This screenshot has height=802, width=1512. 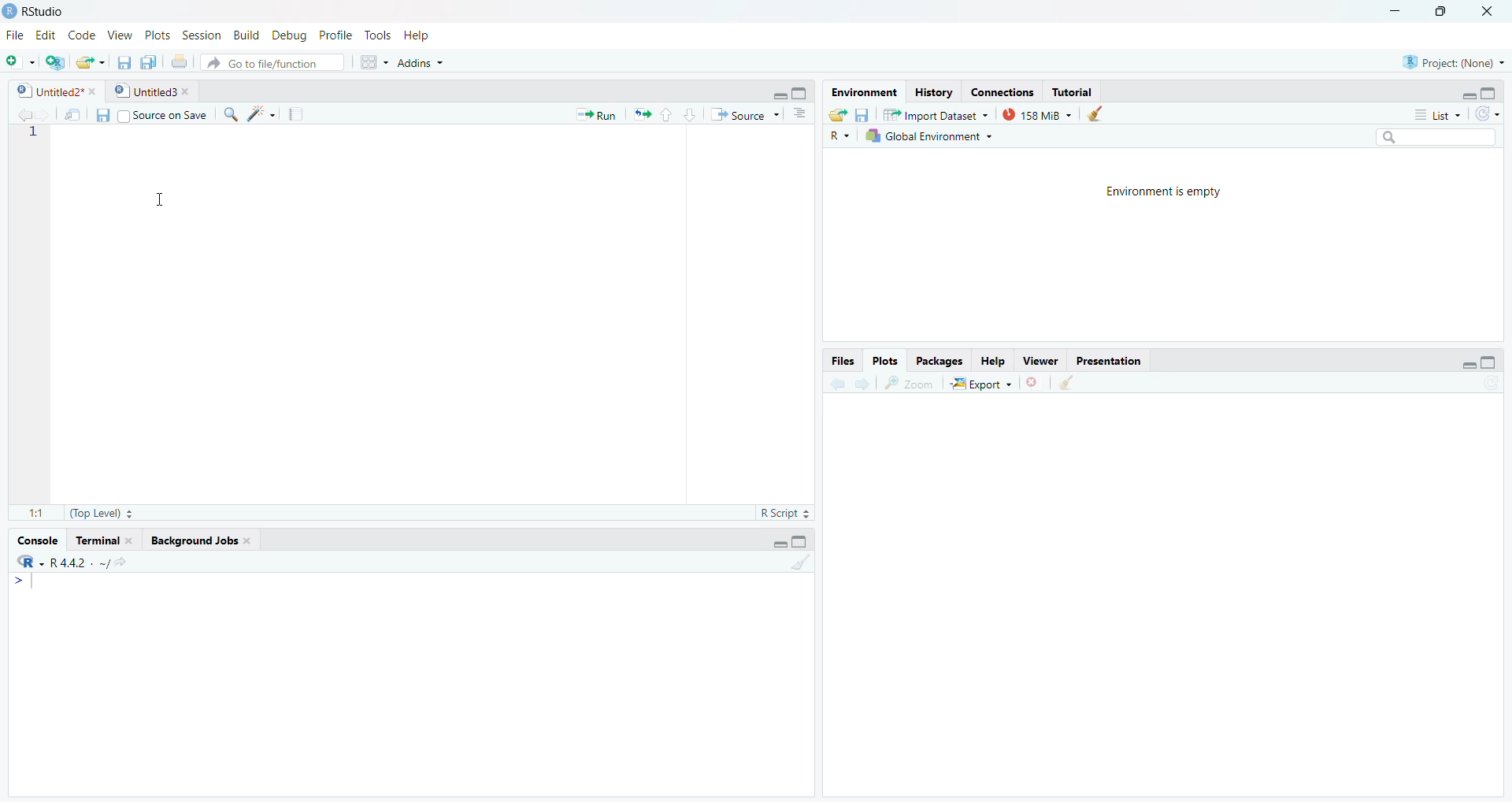 I want to click on Refresh, so click(x=1492, y=113).